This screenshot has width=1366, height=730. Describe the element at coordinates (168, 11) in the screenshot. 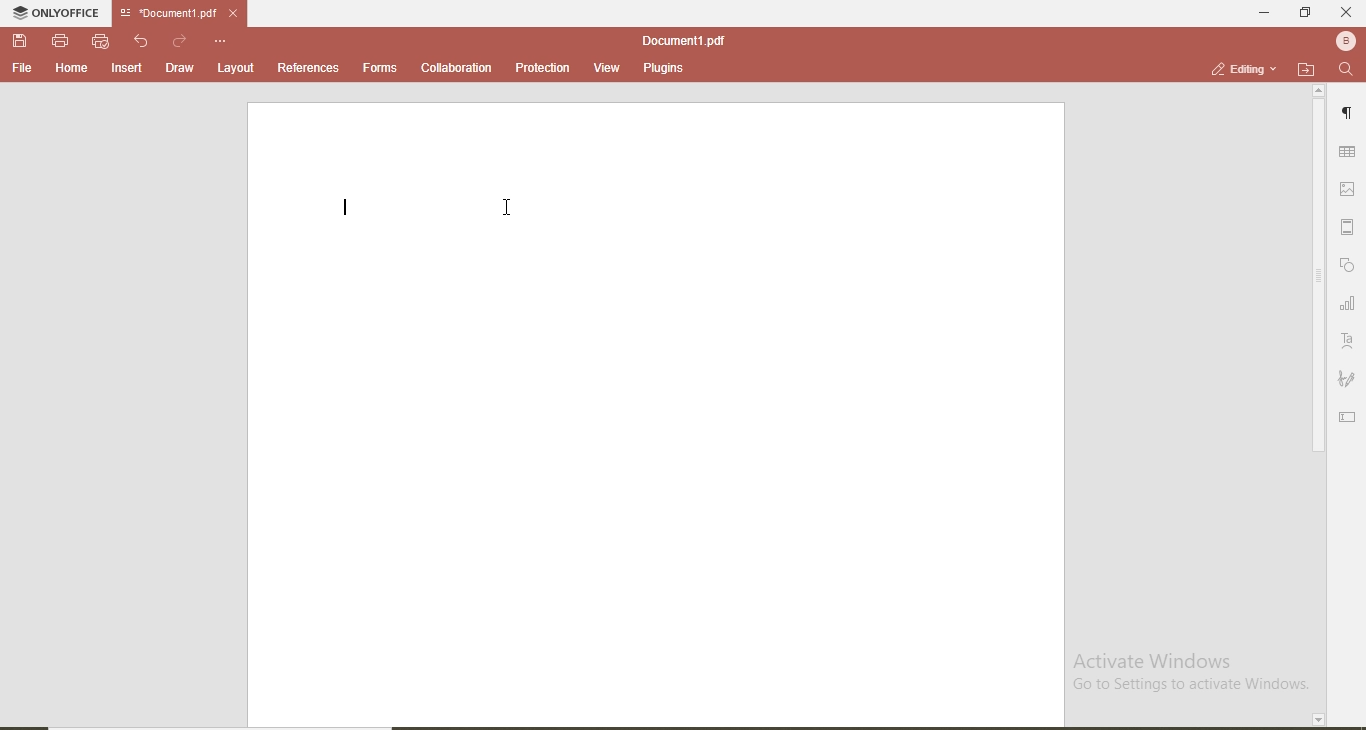

I see `file name tab` at that location.